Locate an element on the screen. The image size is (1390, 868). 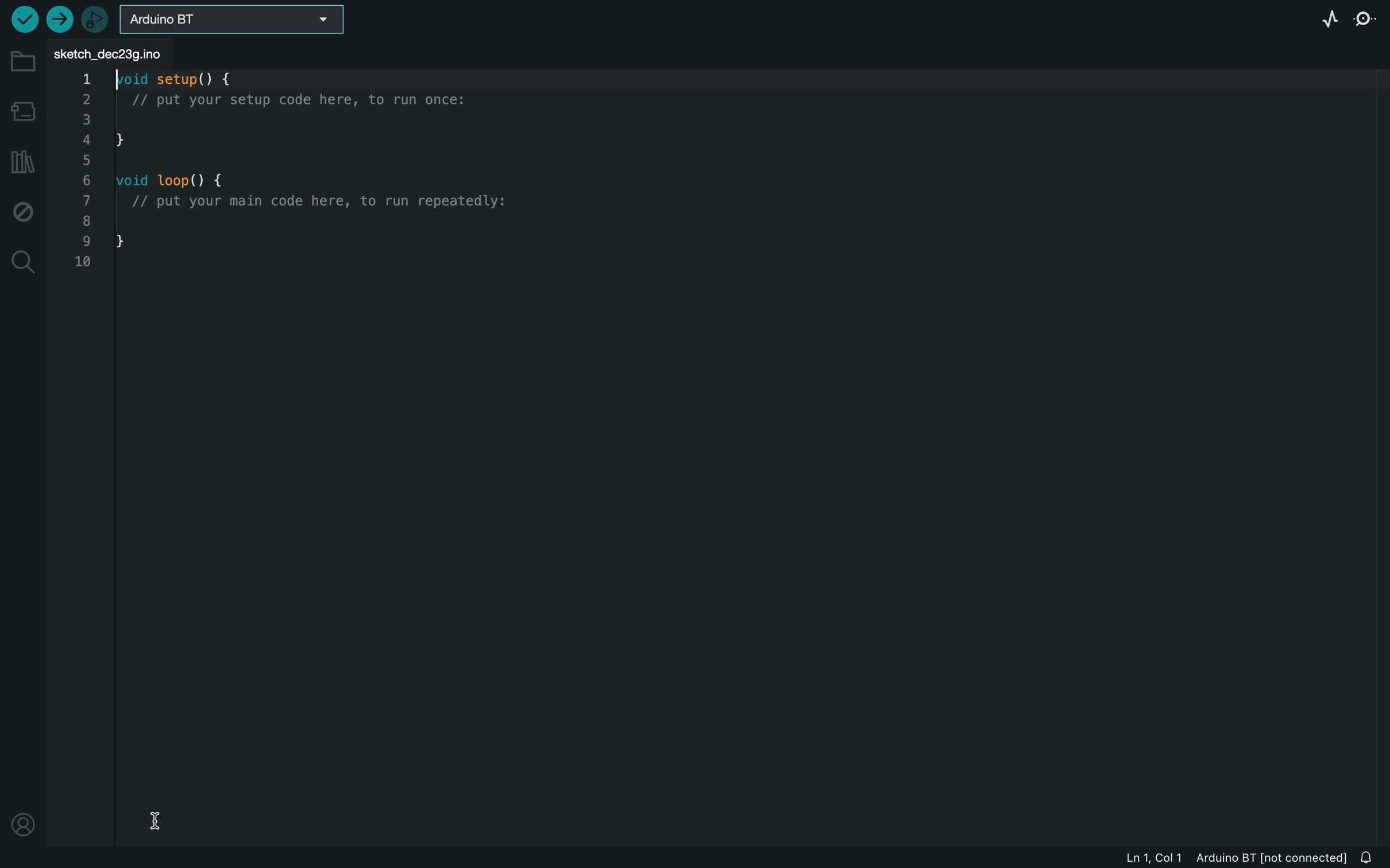
file information is located at coordinates (1186, 858).